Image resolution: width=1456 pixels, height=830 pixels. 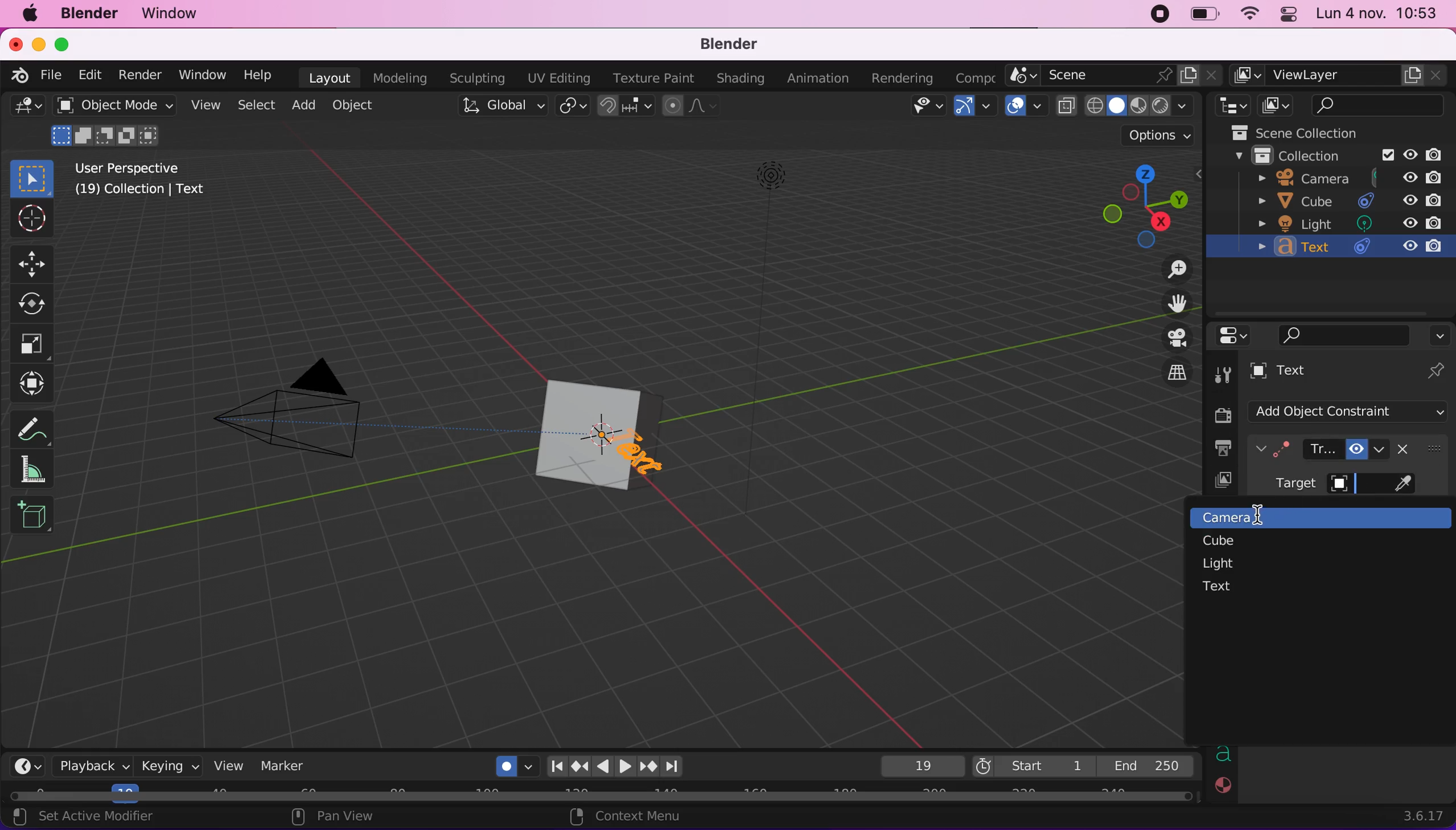 I want to click on viewlayer, so click(x=1214, y=481).